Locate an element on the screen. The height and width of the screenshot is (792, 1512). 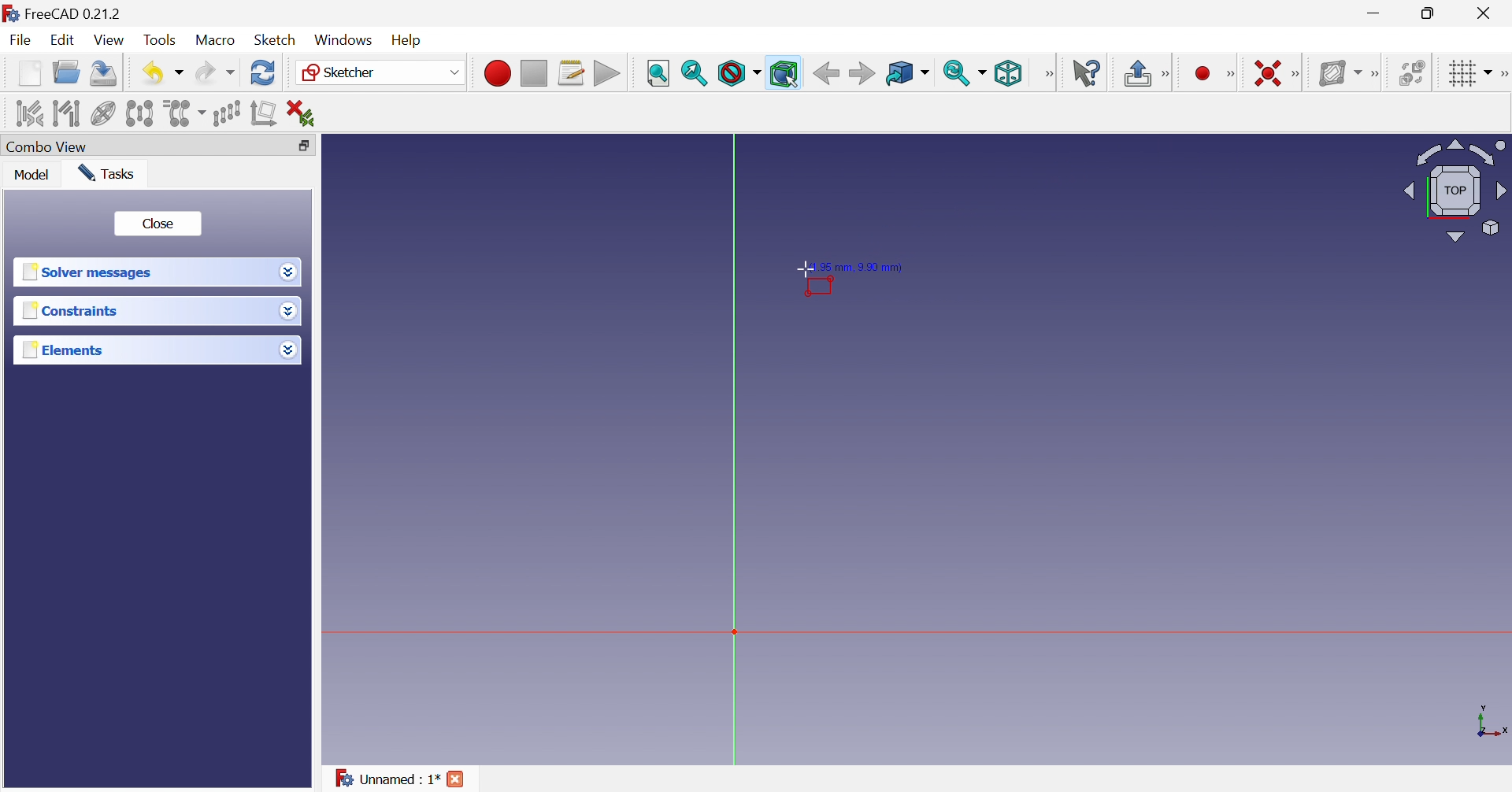
x, y axis is located at coordinates (1489, 720).